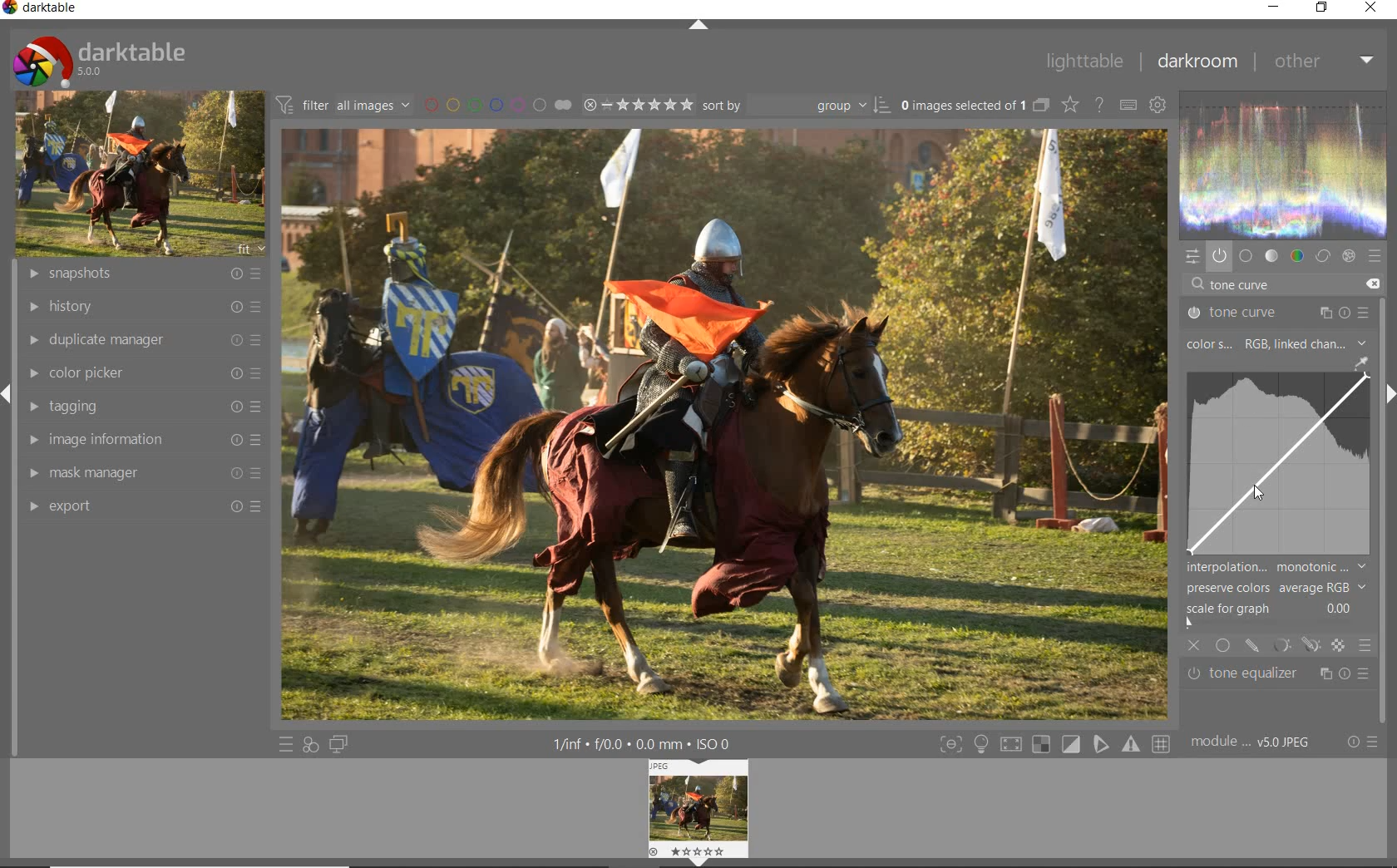  I want to click on uniformly, so click(1224, 645).